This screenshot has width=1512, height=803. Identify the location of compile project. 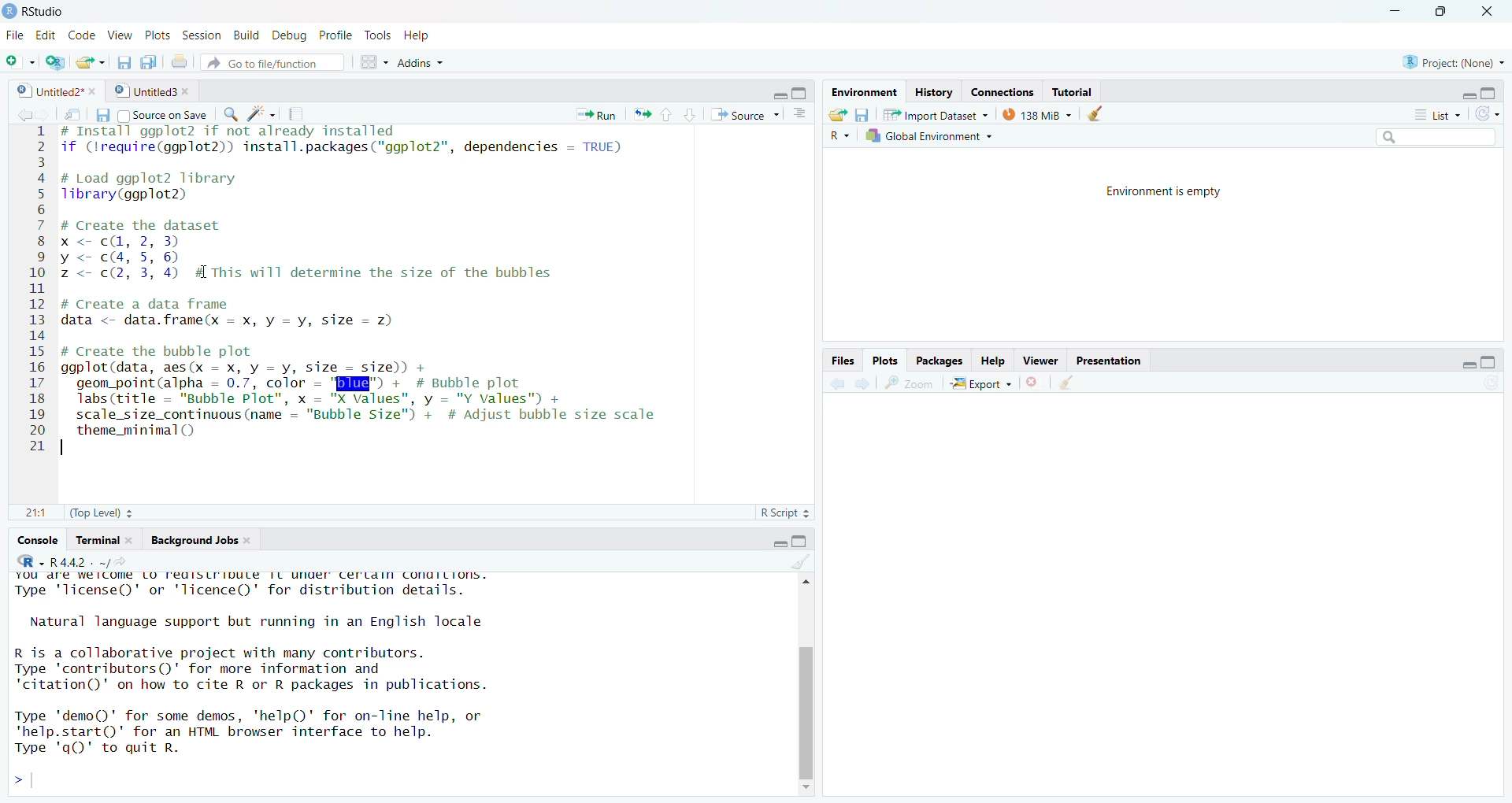
(302, 113).